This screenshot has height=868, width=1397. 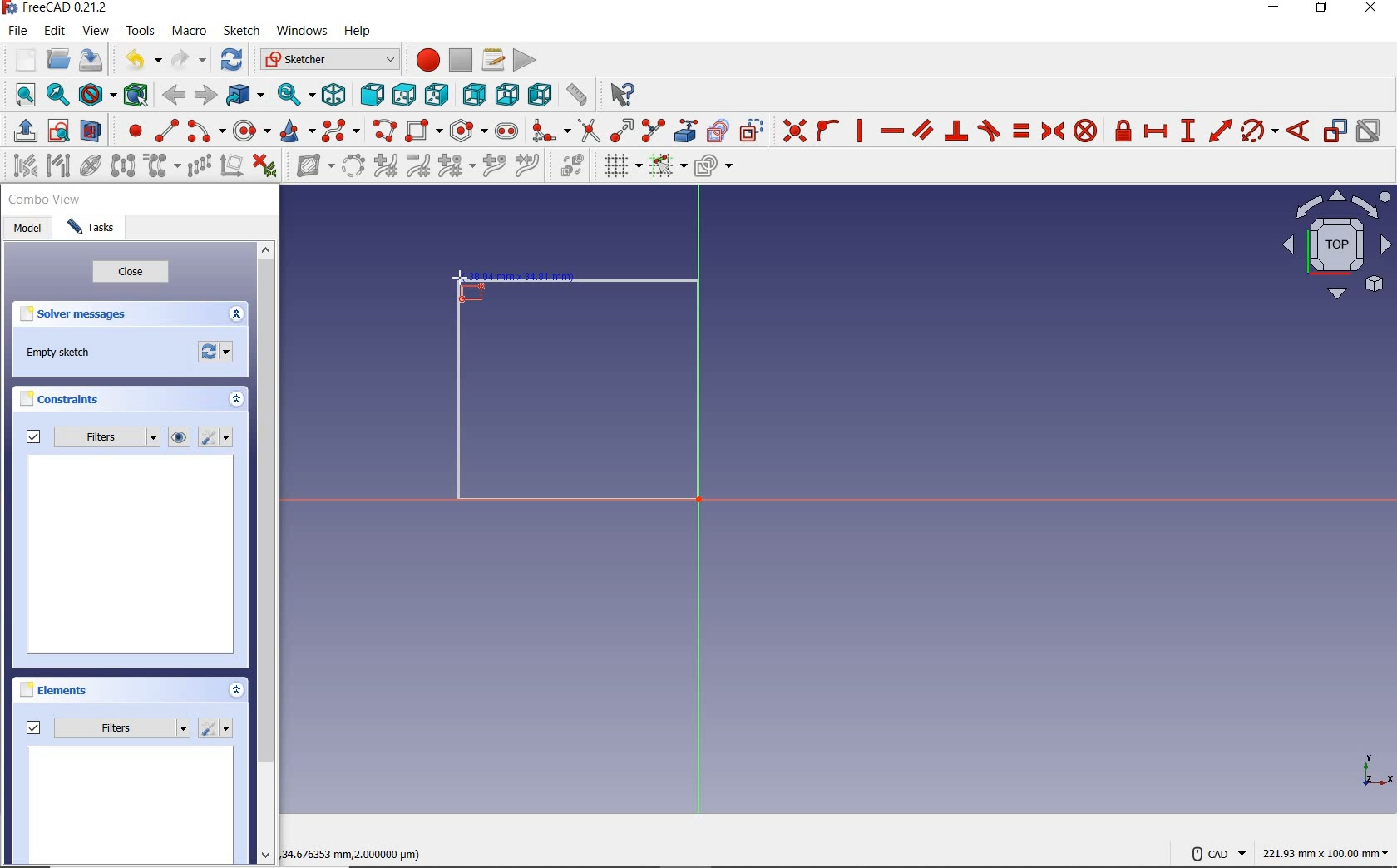 I want to click on scrollbar, so click(x=266, y=555).